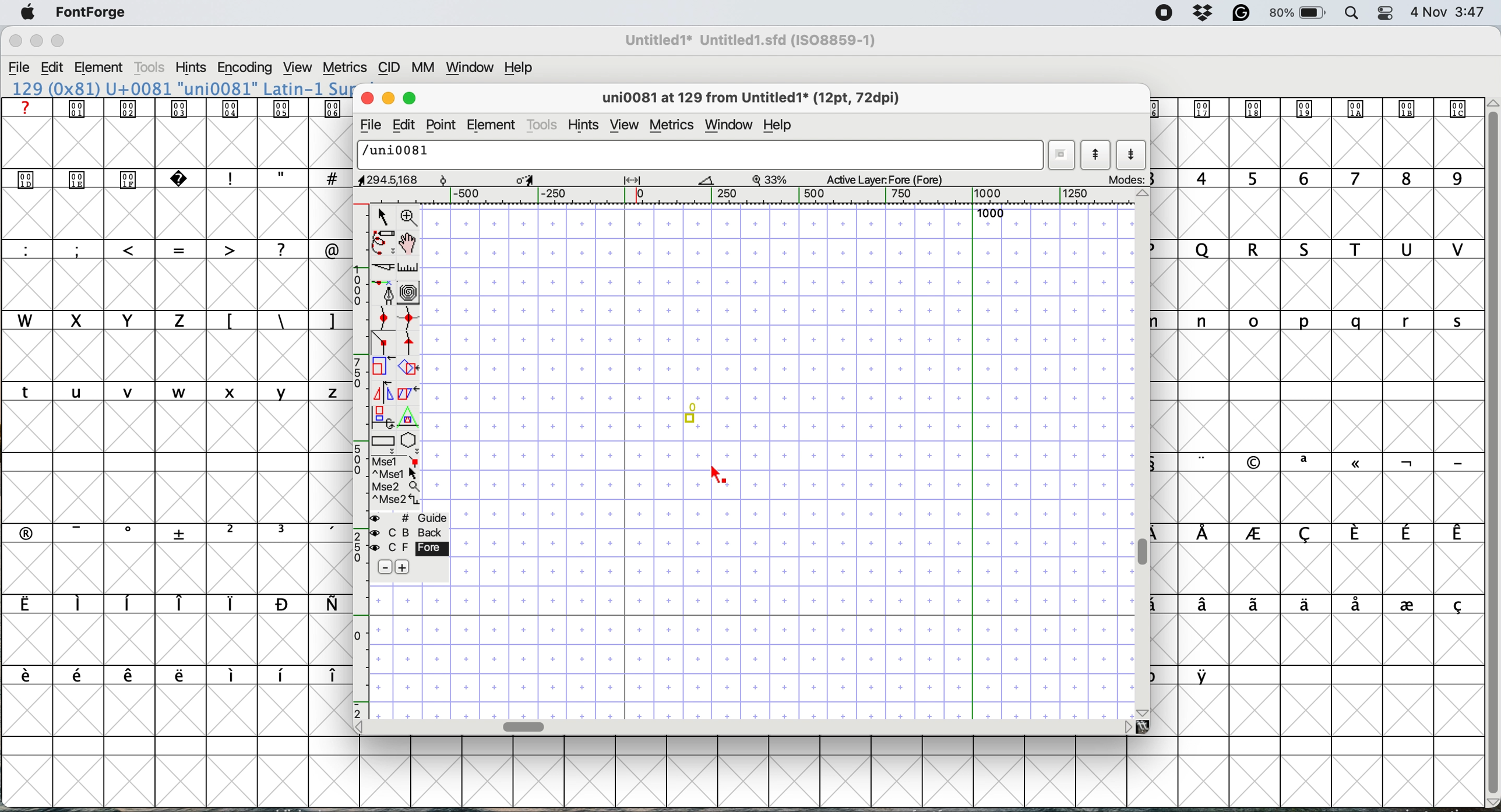 Image resolution: width=1501 pixels, height=812 pixels. What do you see at coordinates (358, 461) in the screenshot?
I see `vertical scale` at bounding box center [358, 461].